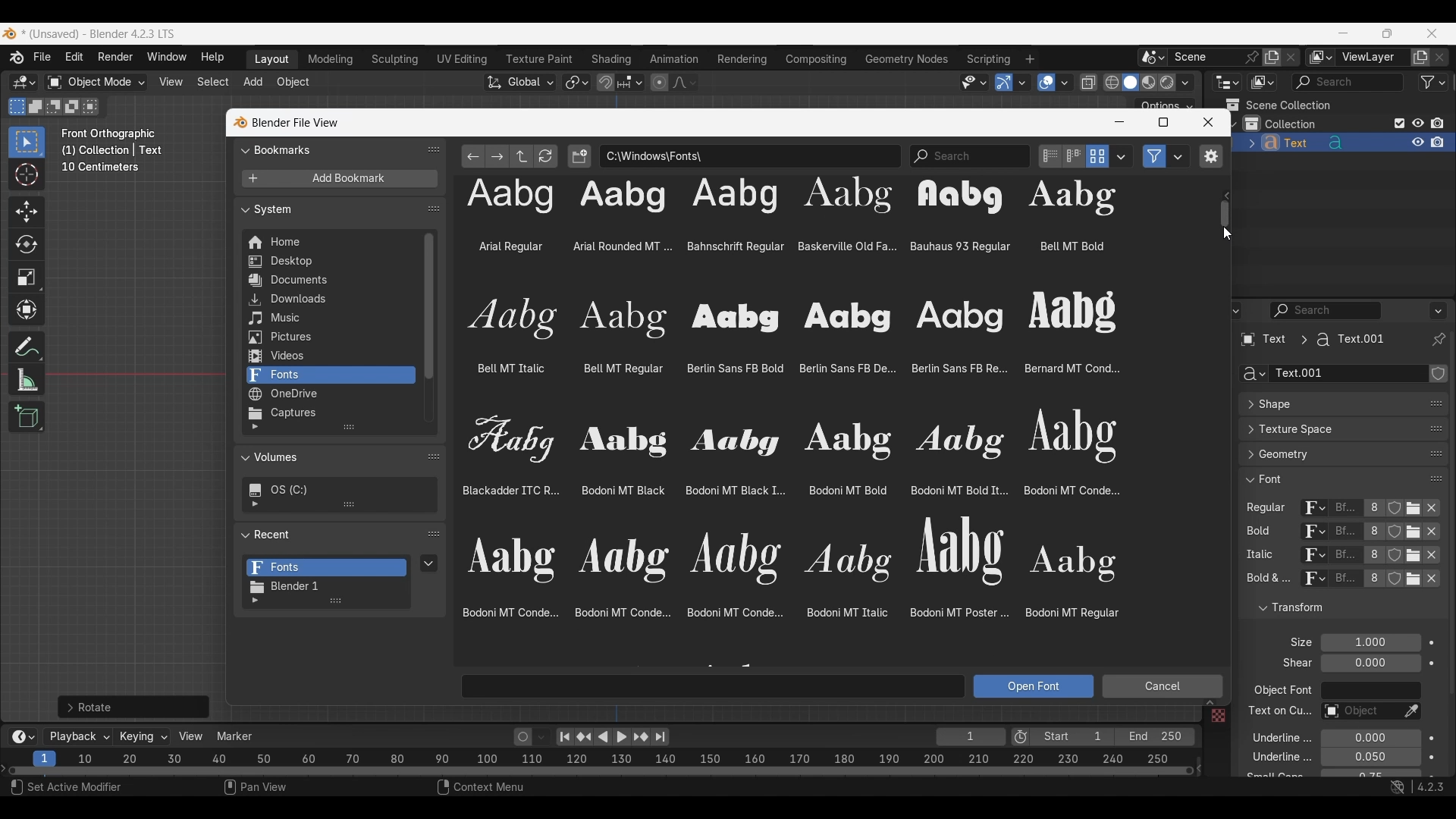 This screenshot has height=819, width=1456. I want to click on italic, so click(1257, 555).